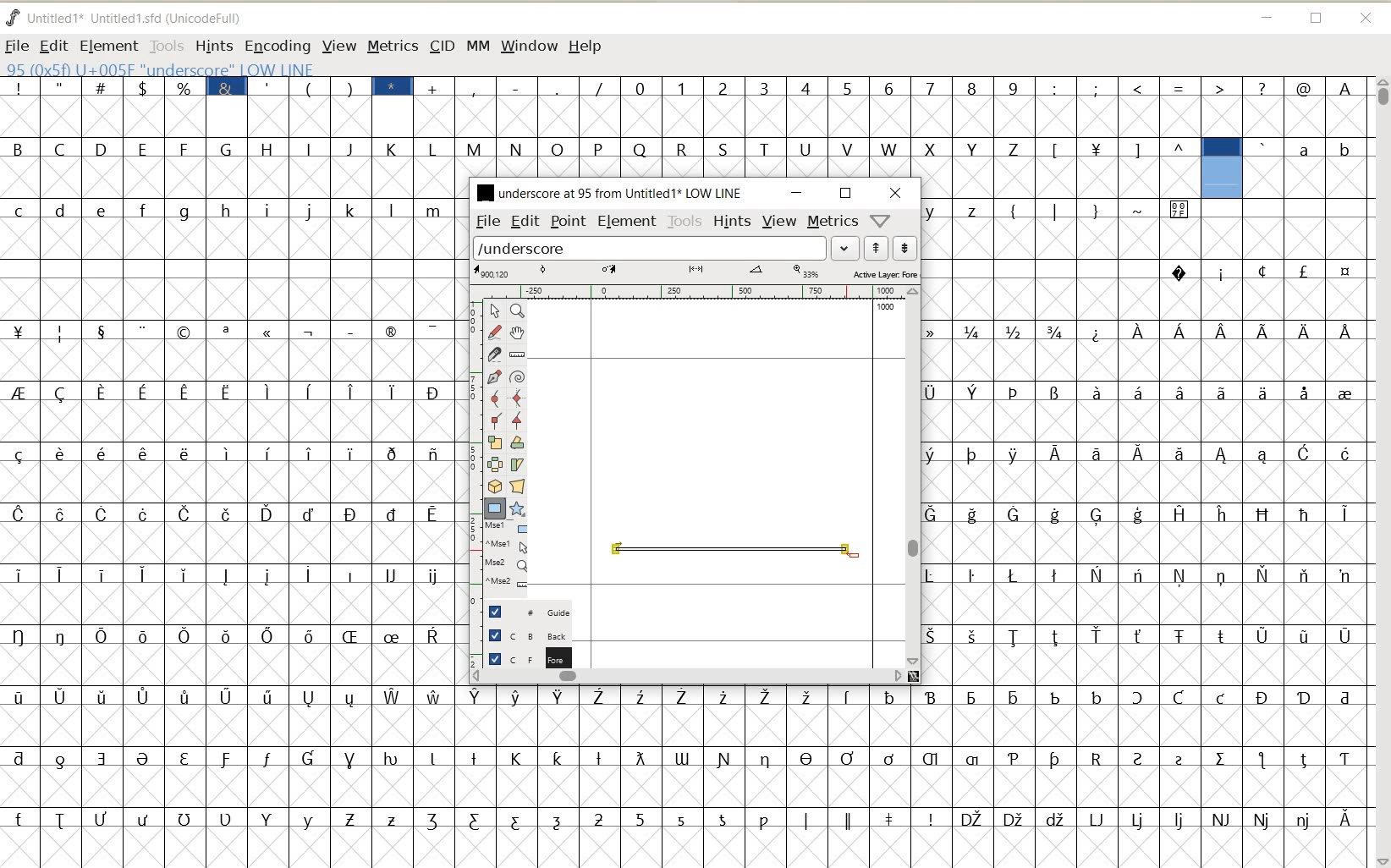 The width and height of the screenshot is (1391, 868). Describe the element at coordinates (522, 635) in the screenshot. I see `BACKGROUND` at that location.